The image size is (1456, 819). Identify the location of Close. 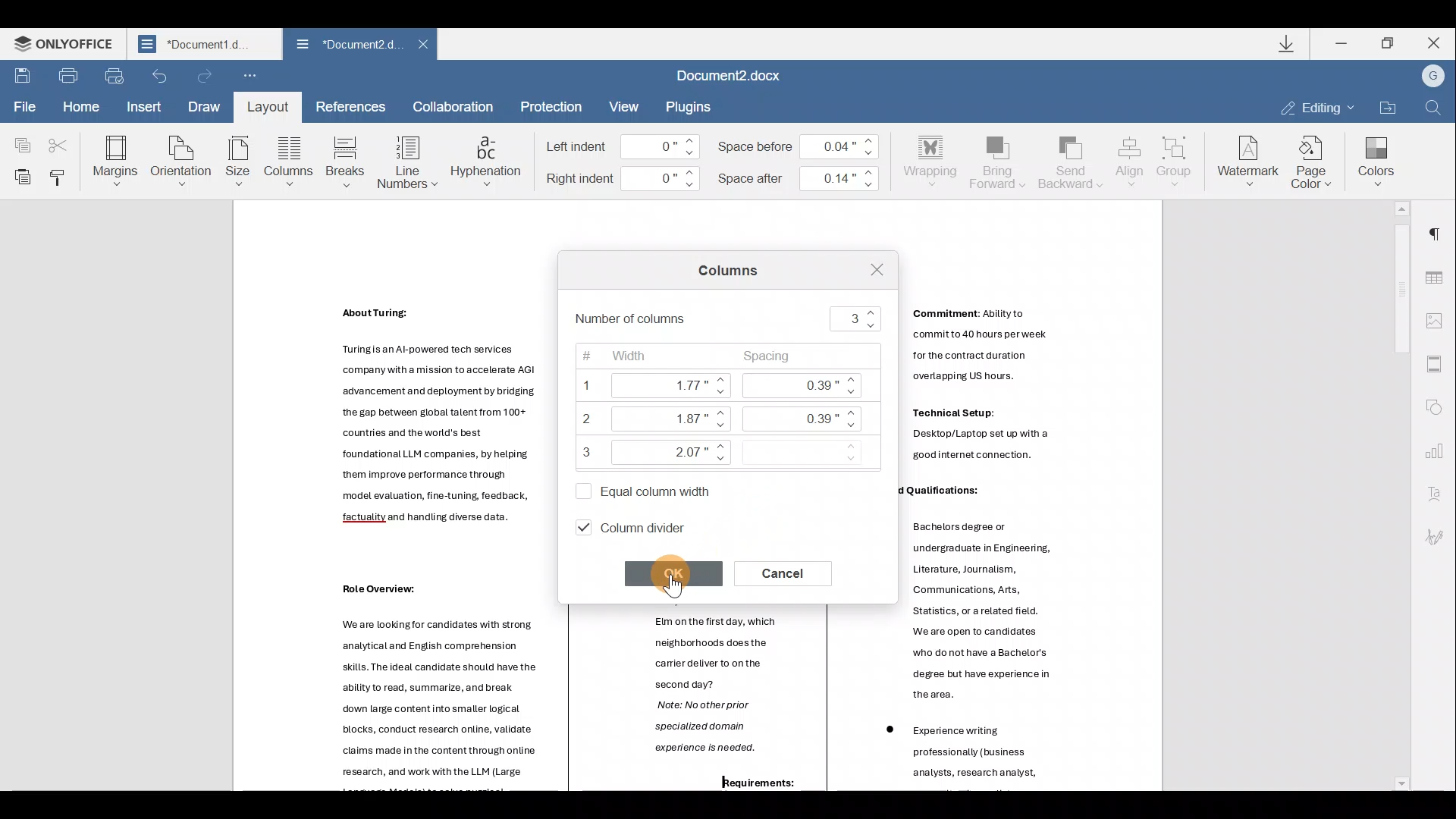
(428, 46).